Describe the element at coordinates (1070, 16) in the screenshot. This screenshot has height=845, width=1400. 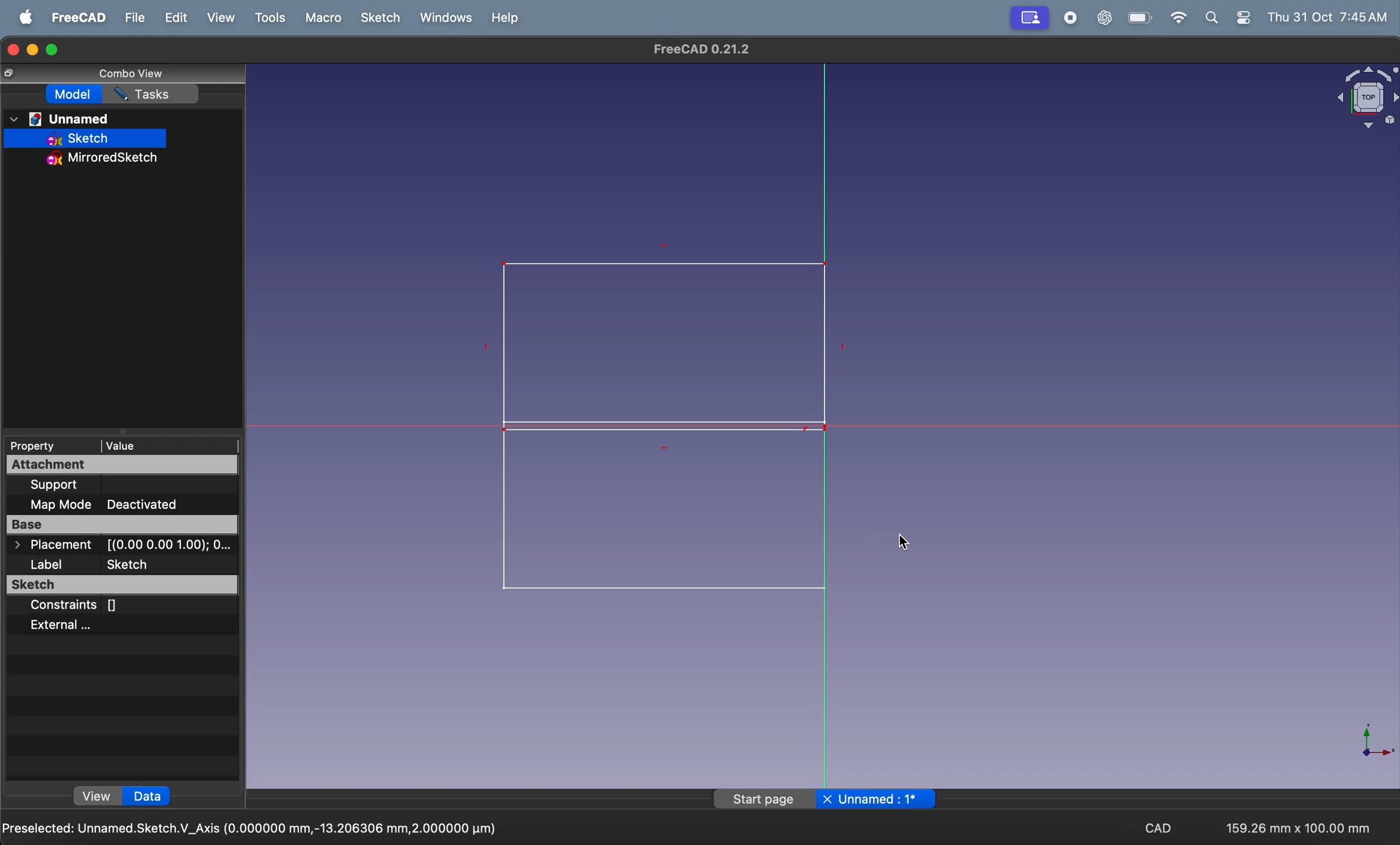
I see `record` at that location.